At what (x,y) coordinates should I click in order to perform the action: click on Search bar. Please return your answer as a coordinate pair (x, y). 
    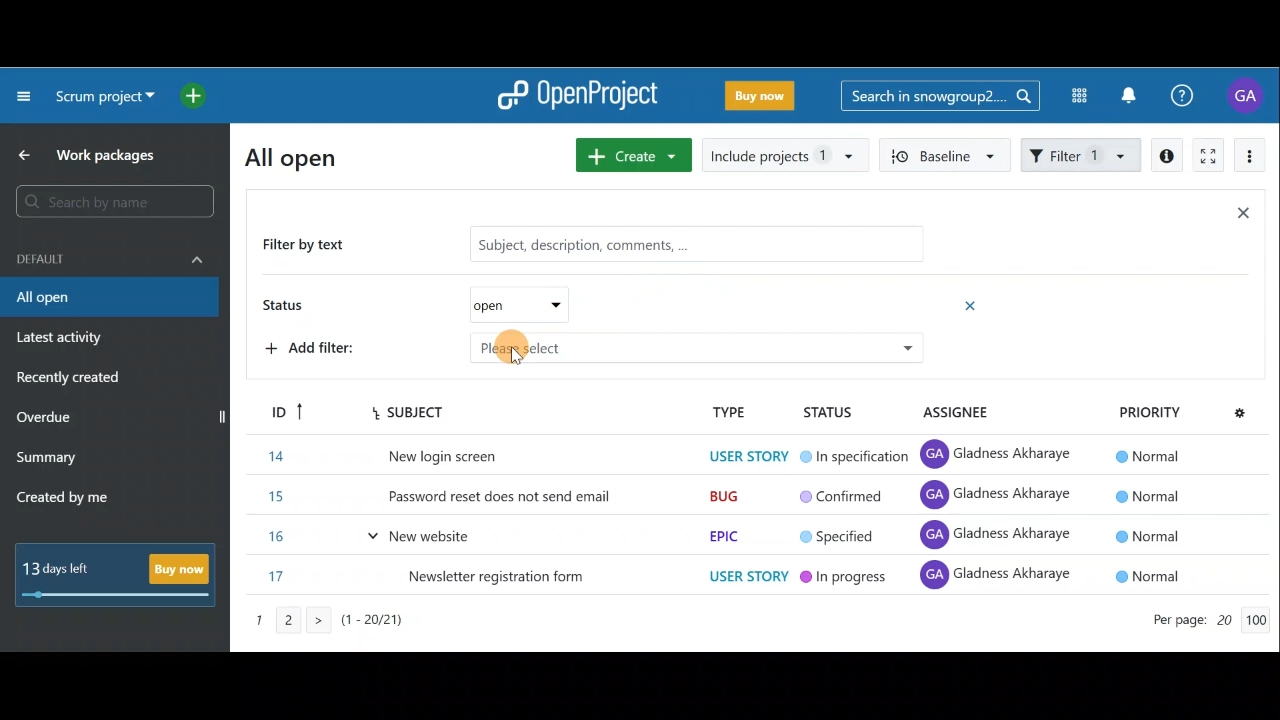
    Looking at the image, I should click on (940, 94).